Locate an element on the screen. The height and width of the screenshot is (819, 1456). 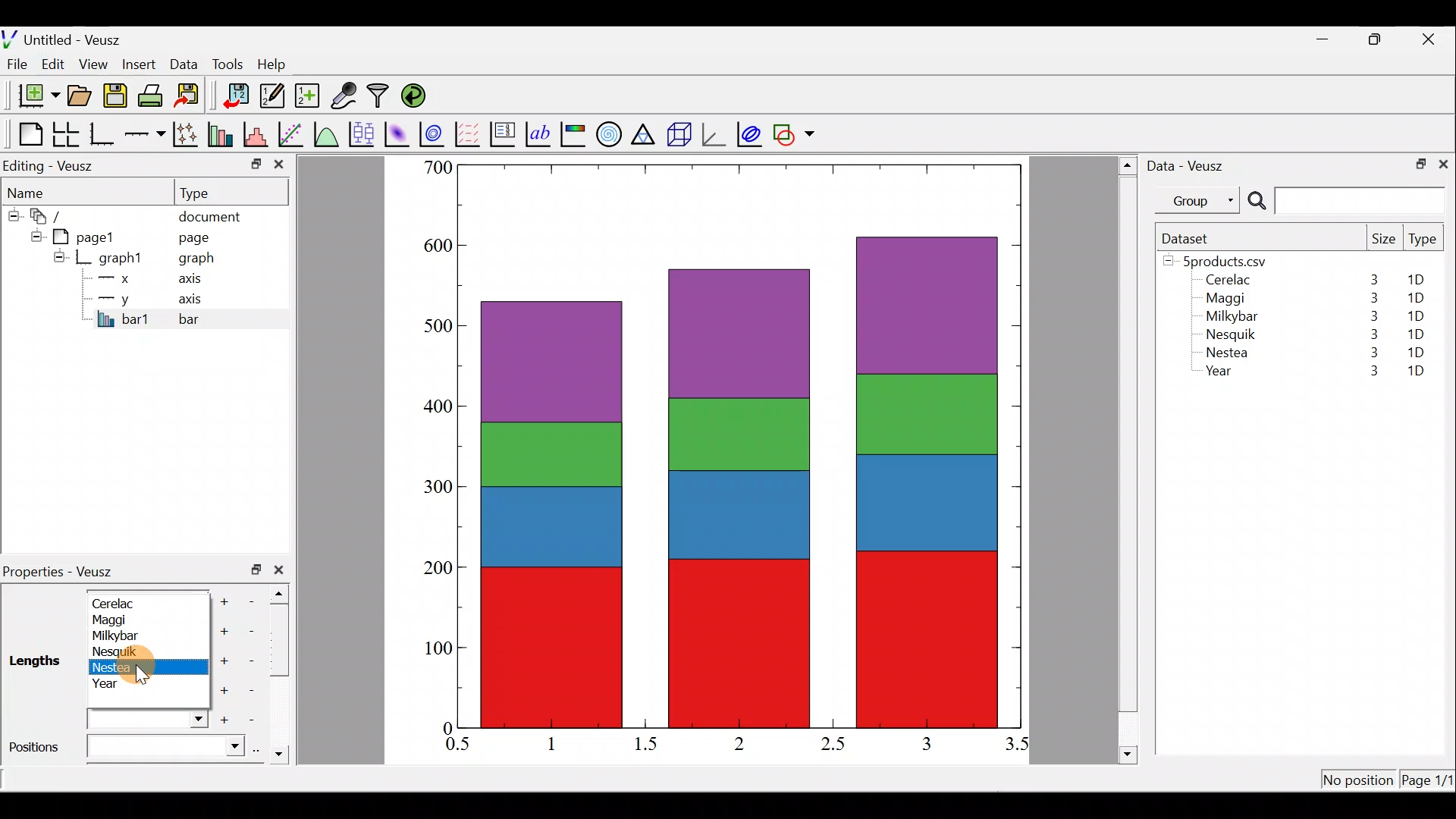
Base graph is located at coordinates (103, 134).